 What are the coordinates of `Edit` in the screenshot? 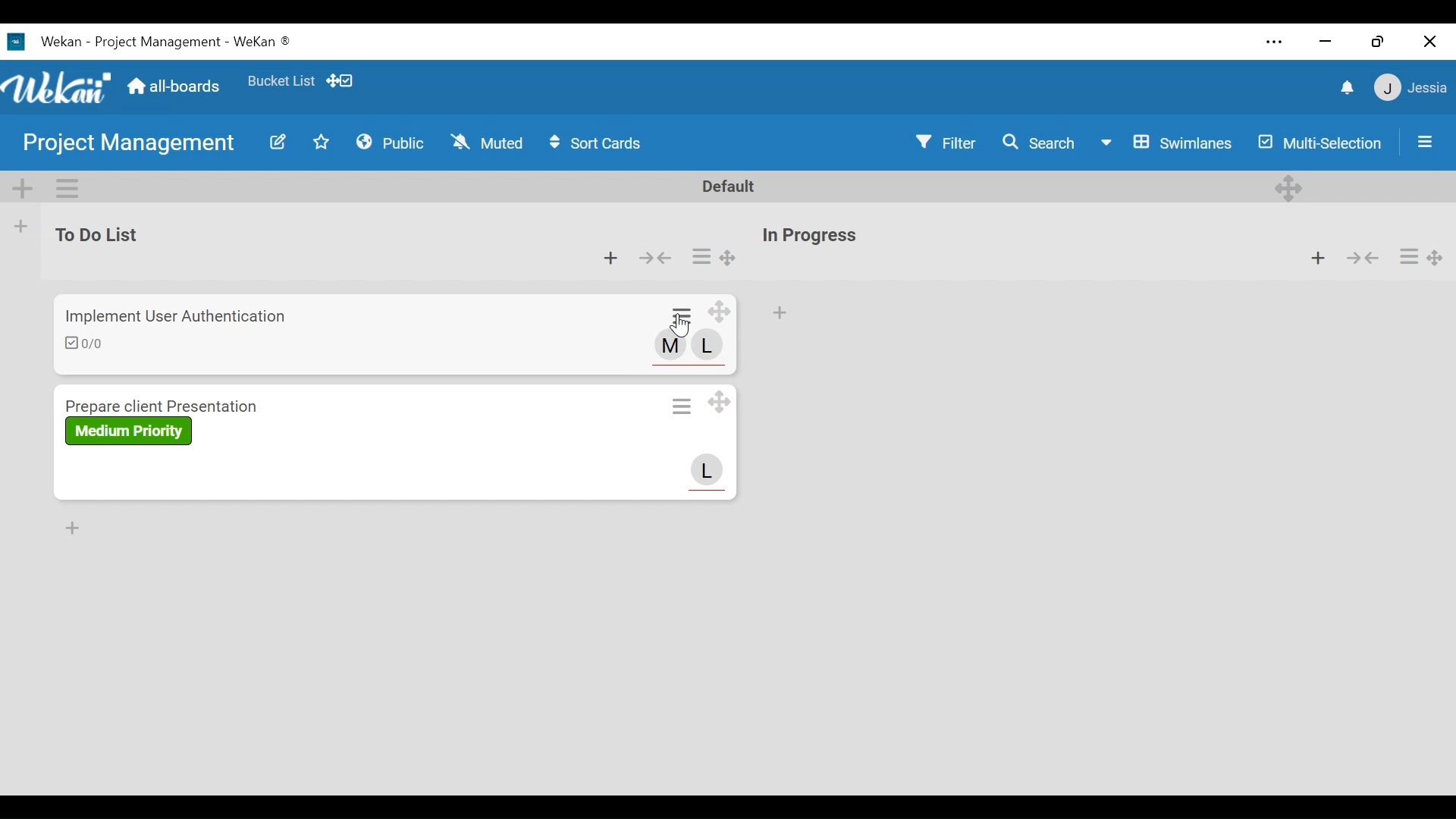 It's located at (277, 142).